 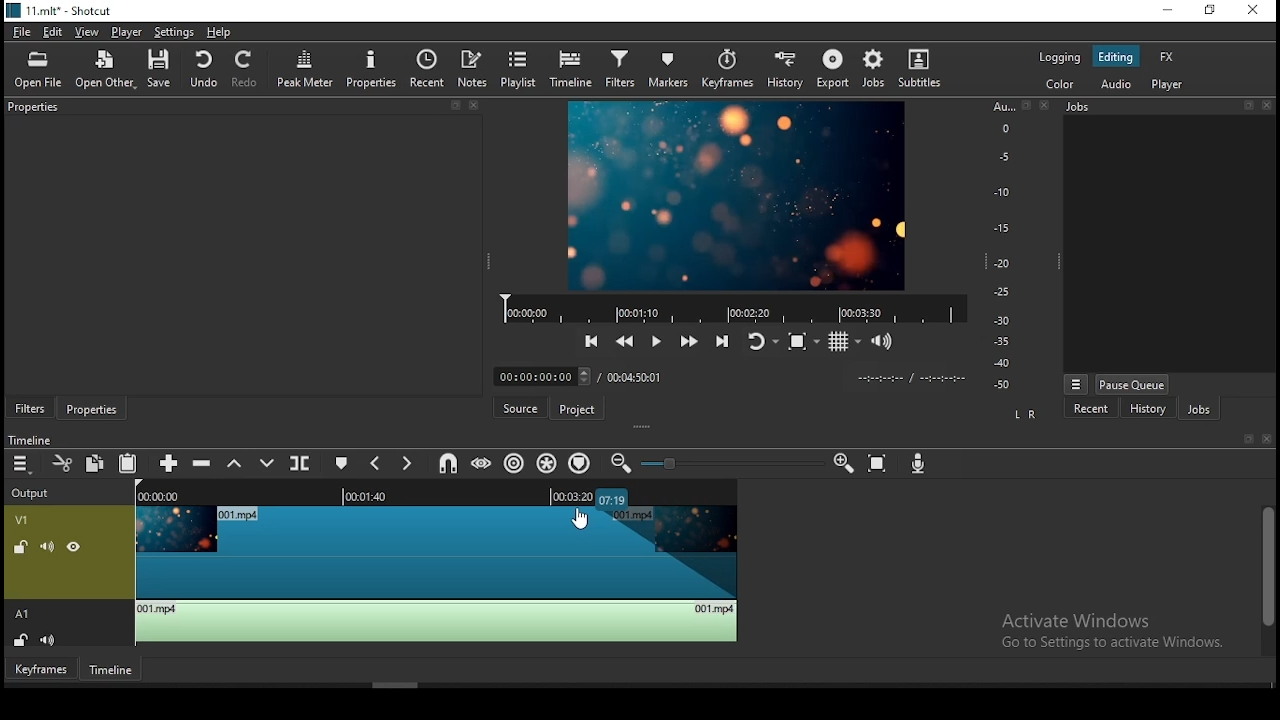 I want to click on snap, so click(x=447, y=462).